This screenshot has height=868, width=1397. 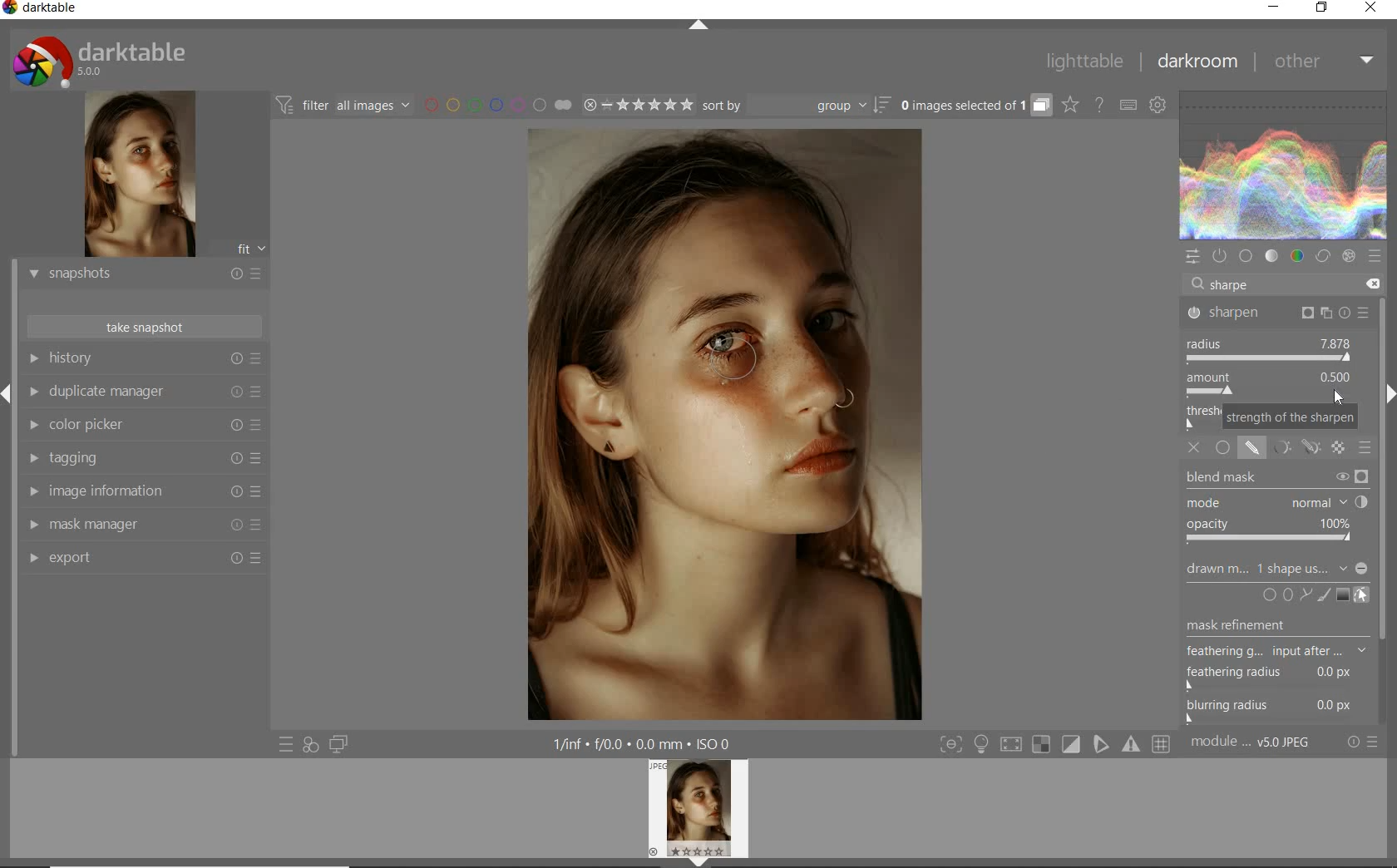 I want to click on history, so click(x=144, y=359).